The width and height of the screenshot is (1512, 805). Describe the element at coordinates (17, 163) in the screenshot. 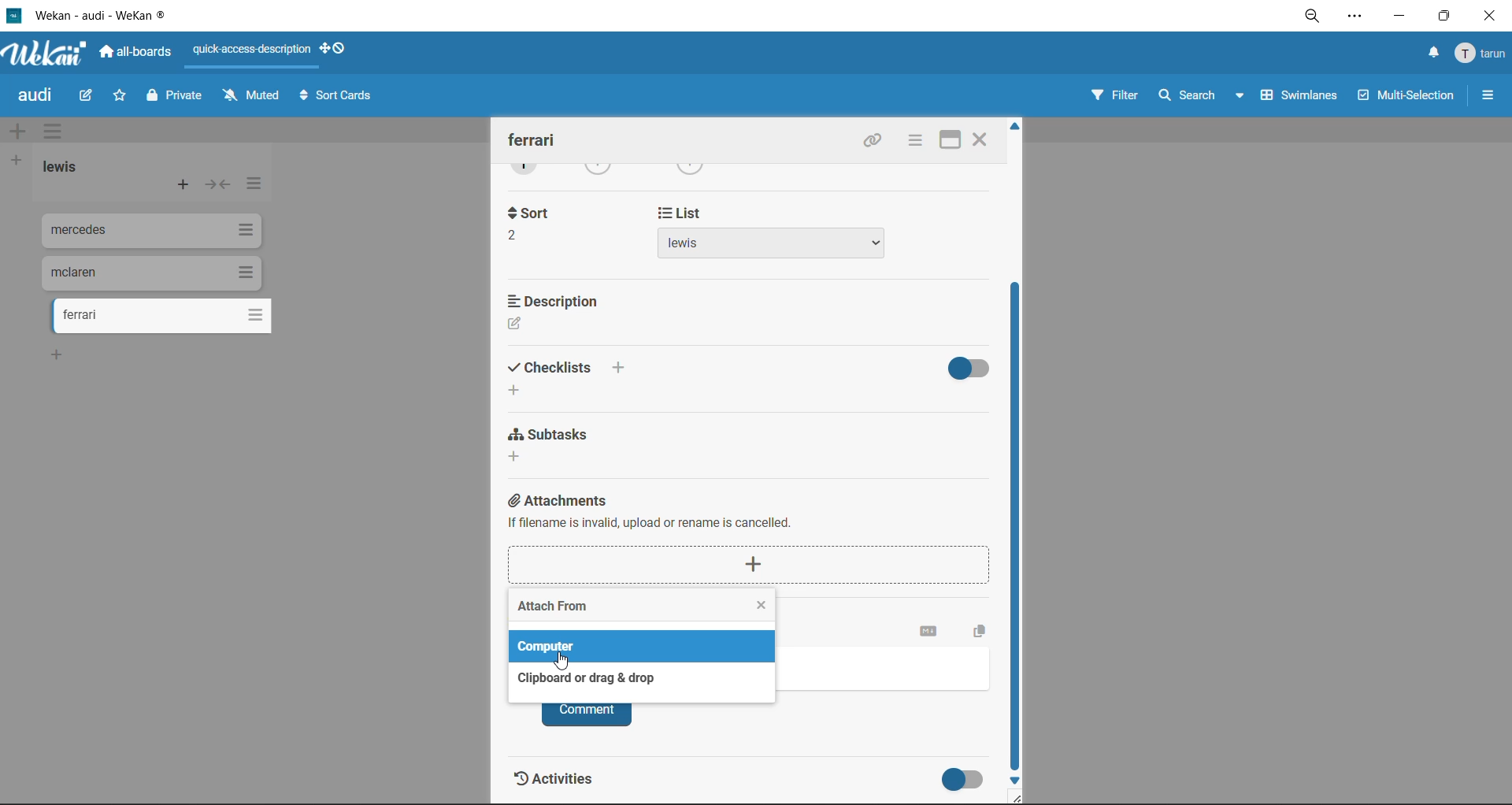

I see `add list` at that location.